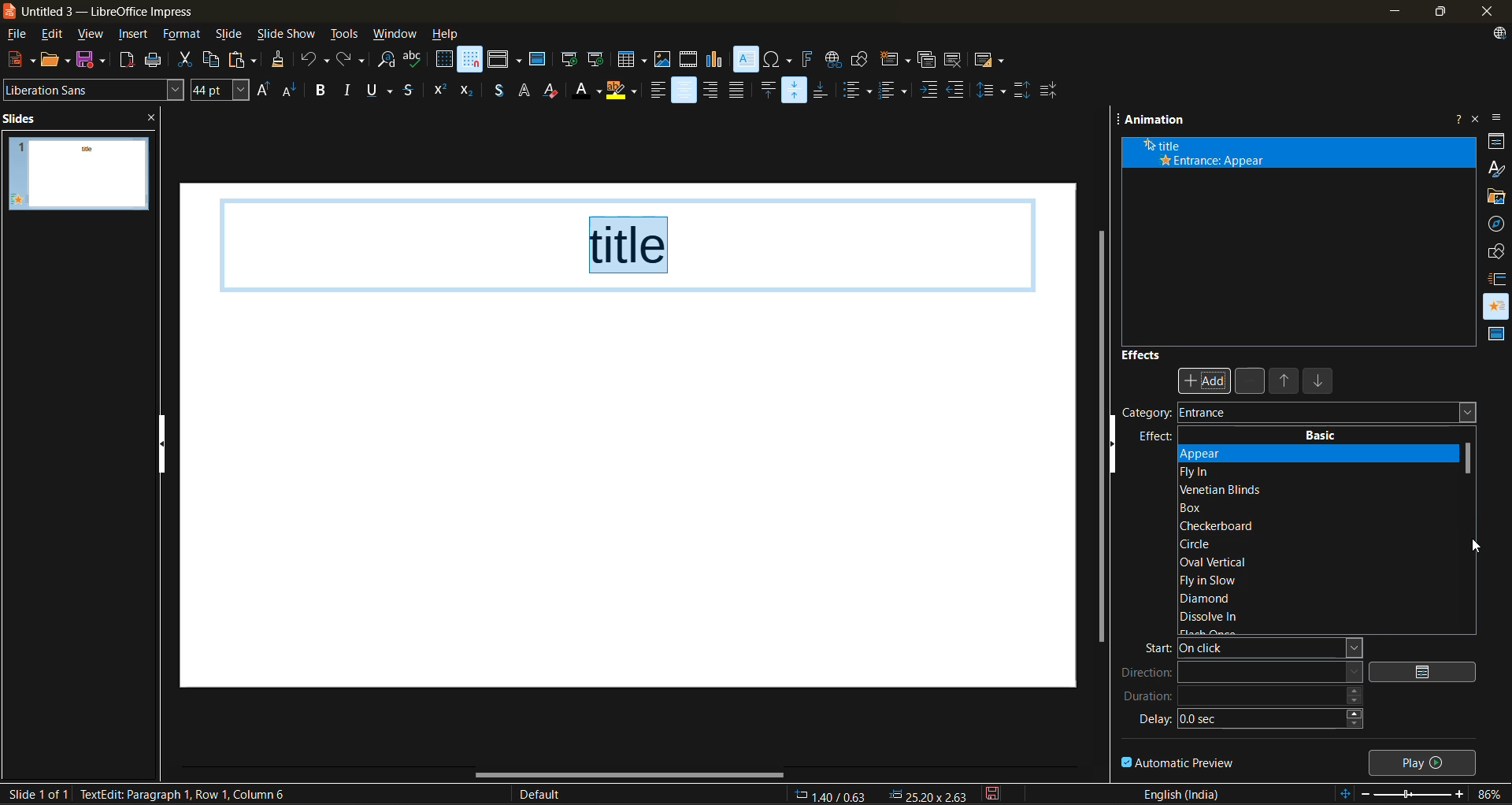 This screenshot has height=805, width=1512. Describe the element at coordinates (832, 59) in the screenshot. I see `insert hyperlink` at that location.